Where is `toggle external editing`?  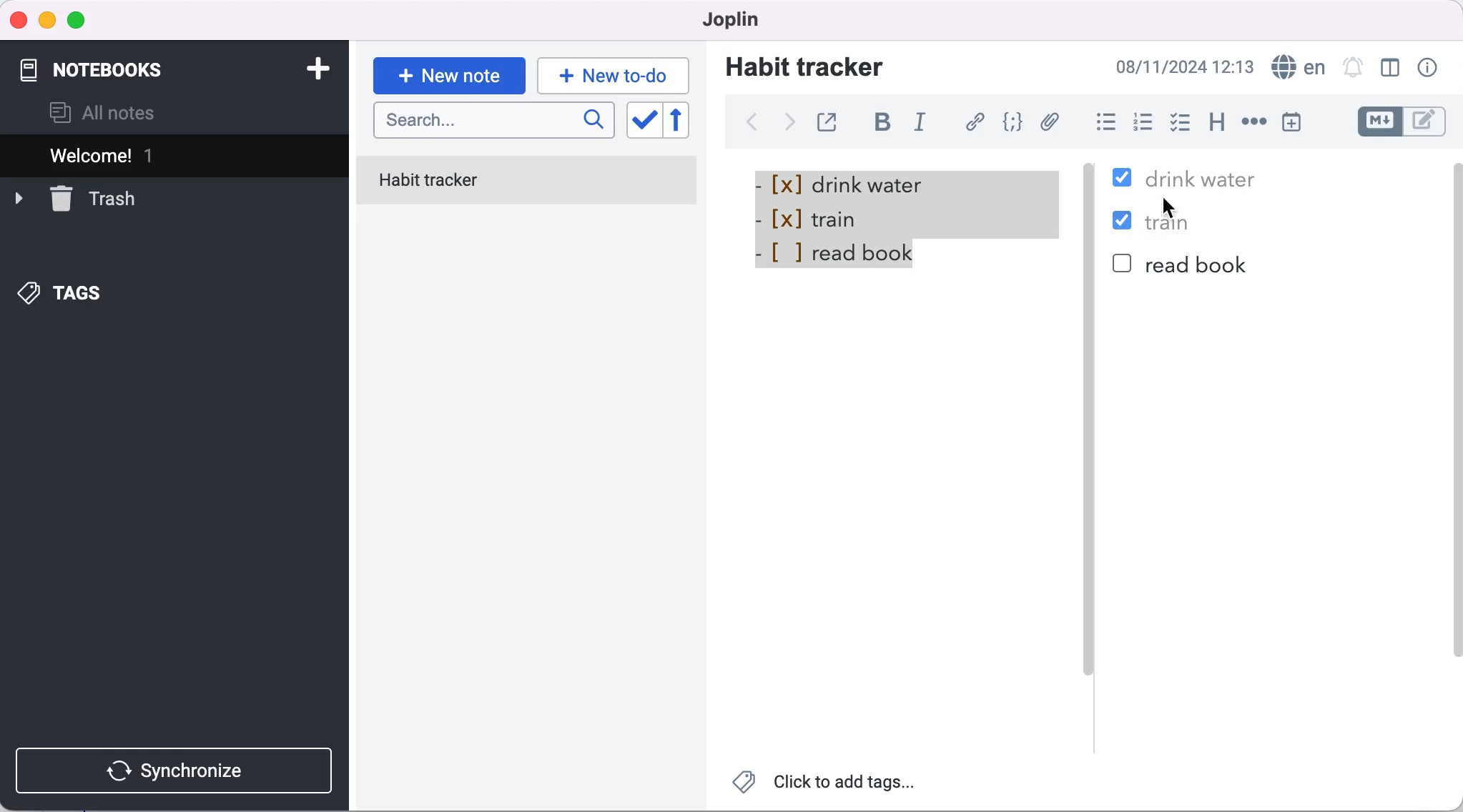
toggle external editing is located at coordinates (831, 120).